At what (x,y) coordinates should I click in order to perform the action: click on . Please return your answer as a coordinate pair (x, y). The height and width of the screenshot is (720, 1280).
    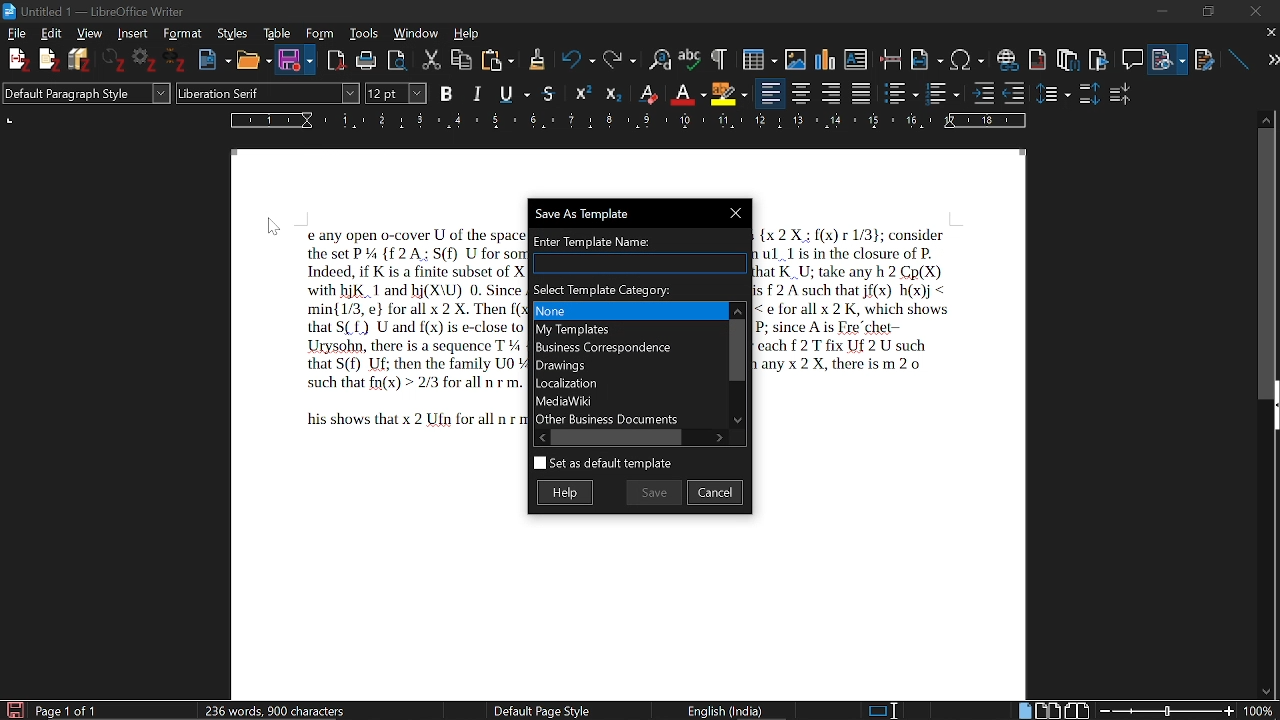
    Looking at the image, I should click on (116, 61).